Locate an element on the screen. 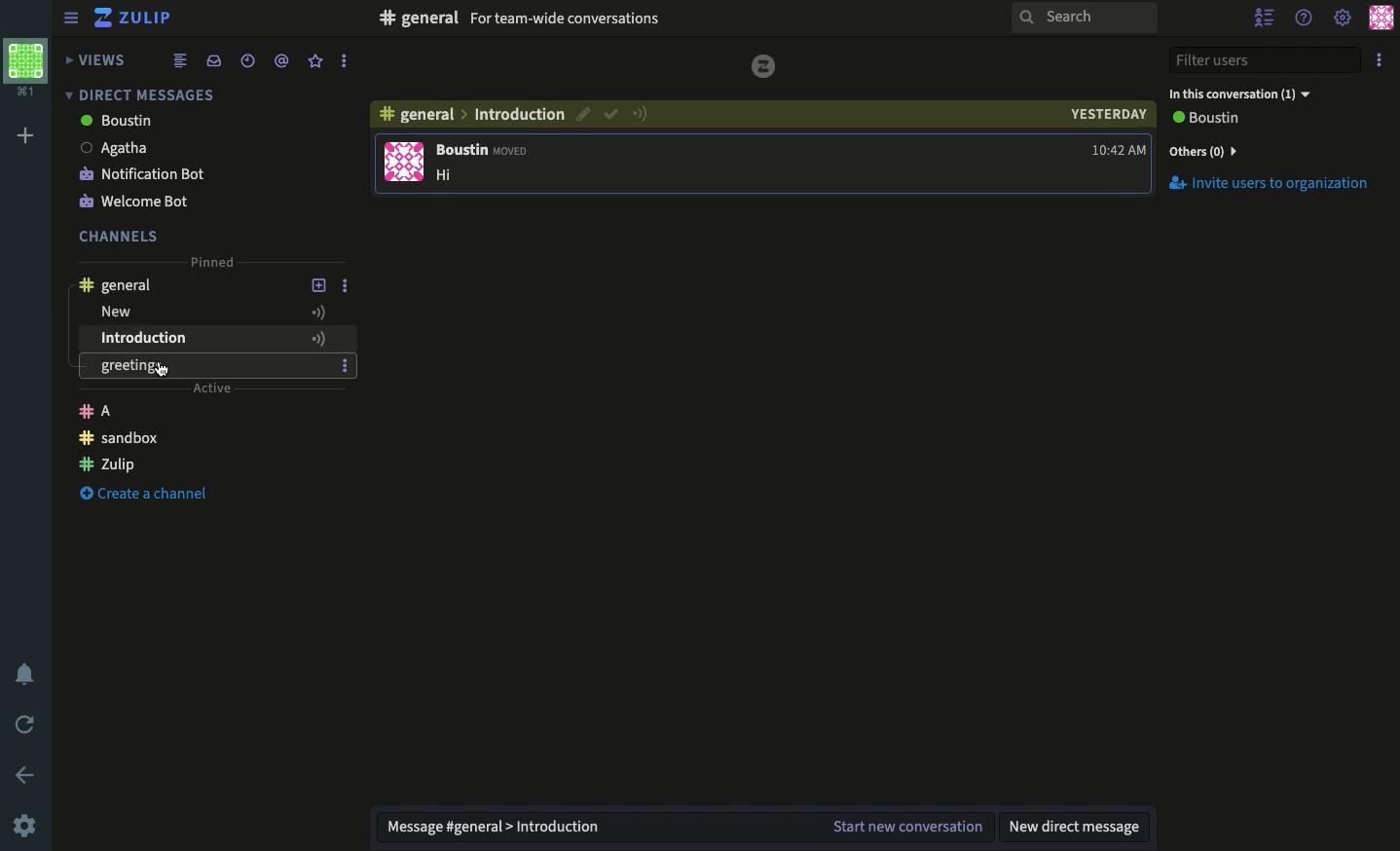 The image size is (1400, 851). User is located at coordinates (1204, 118).